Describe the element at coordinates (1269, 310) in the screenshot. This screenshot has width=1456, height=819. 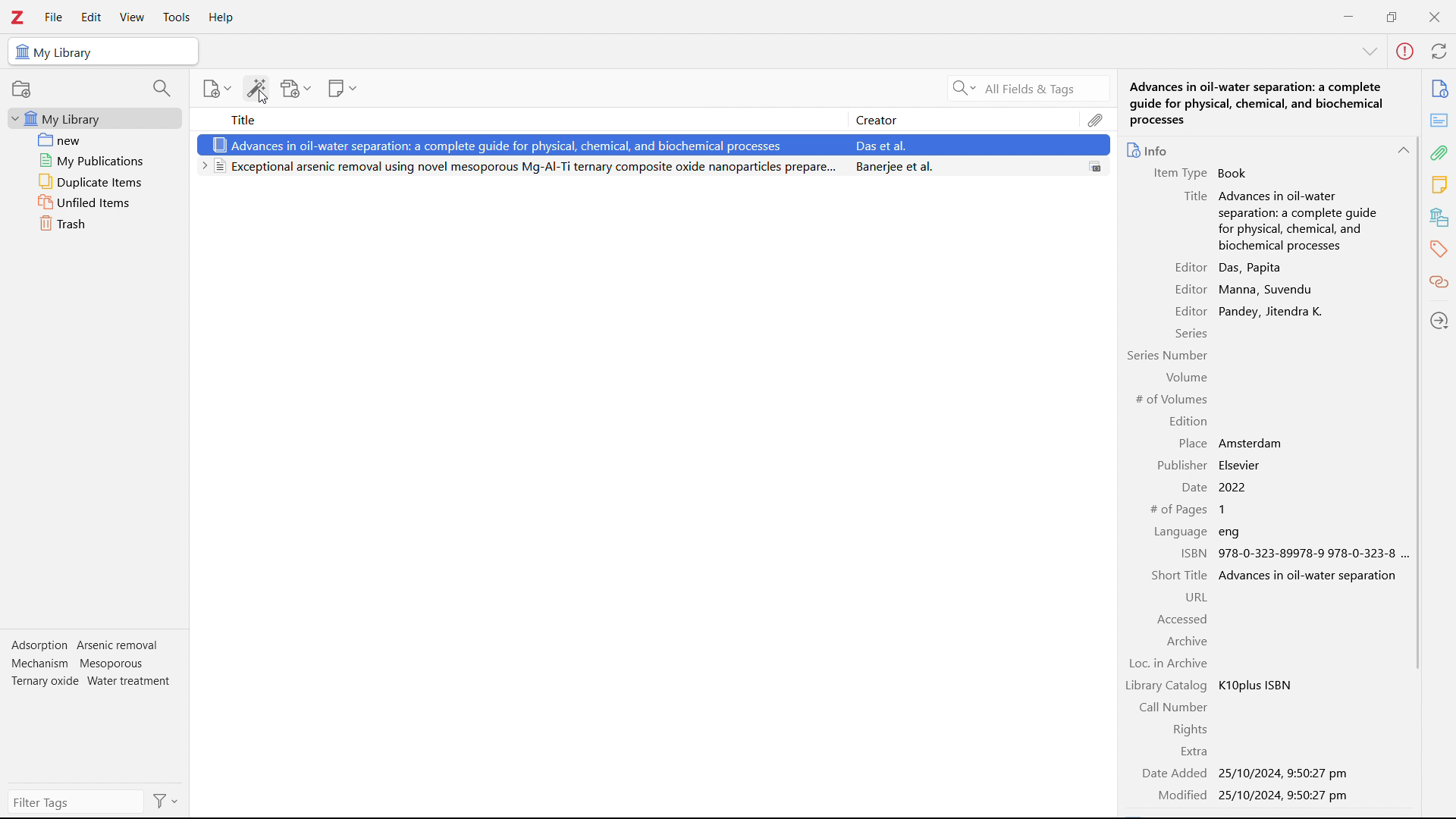
I see `Pandey, Jitendra K` at that location.